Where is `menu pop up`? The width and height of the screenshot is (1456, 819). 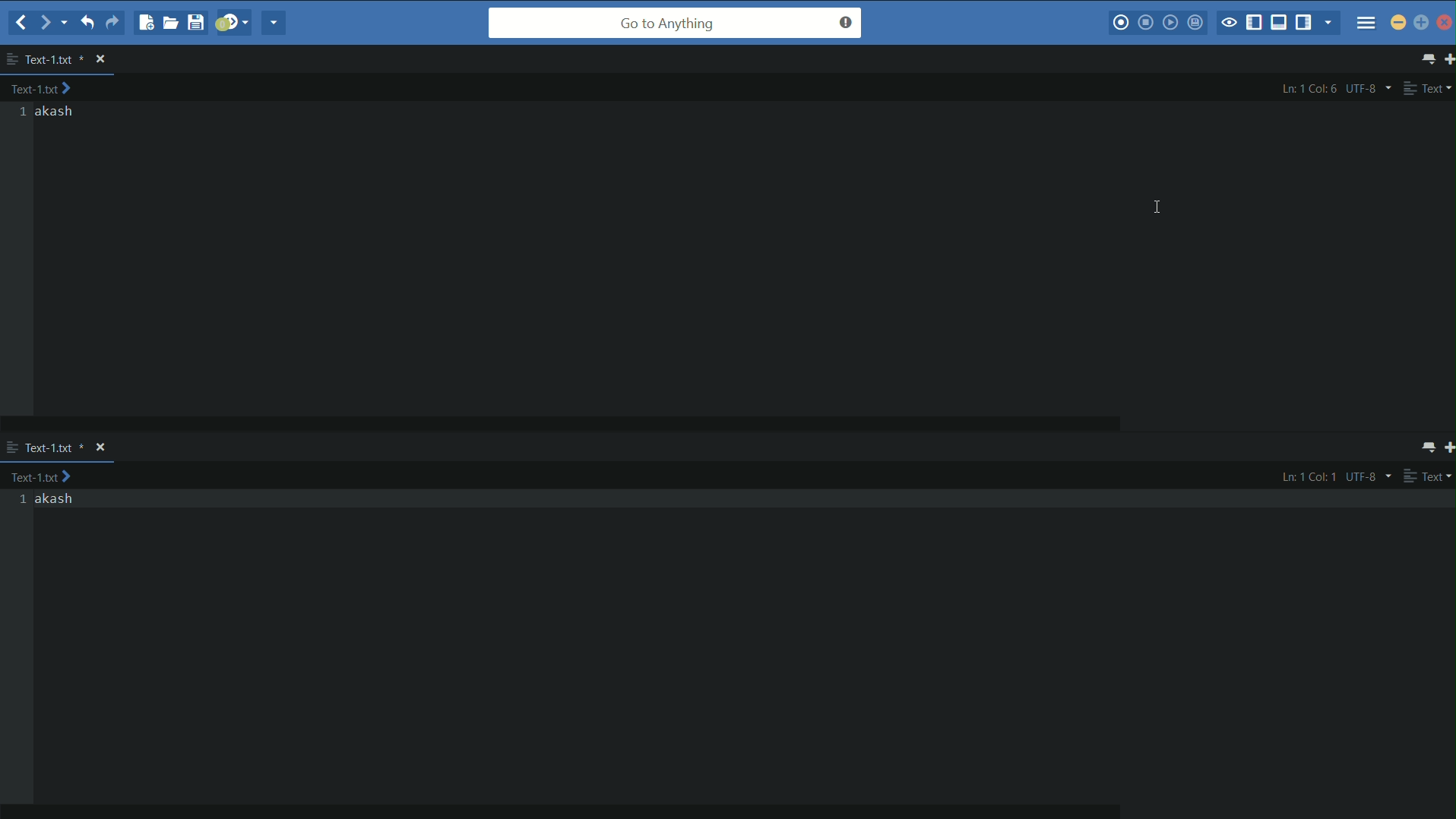
menu pop up is located at coordinates (1383, 55).